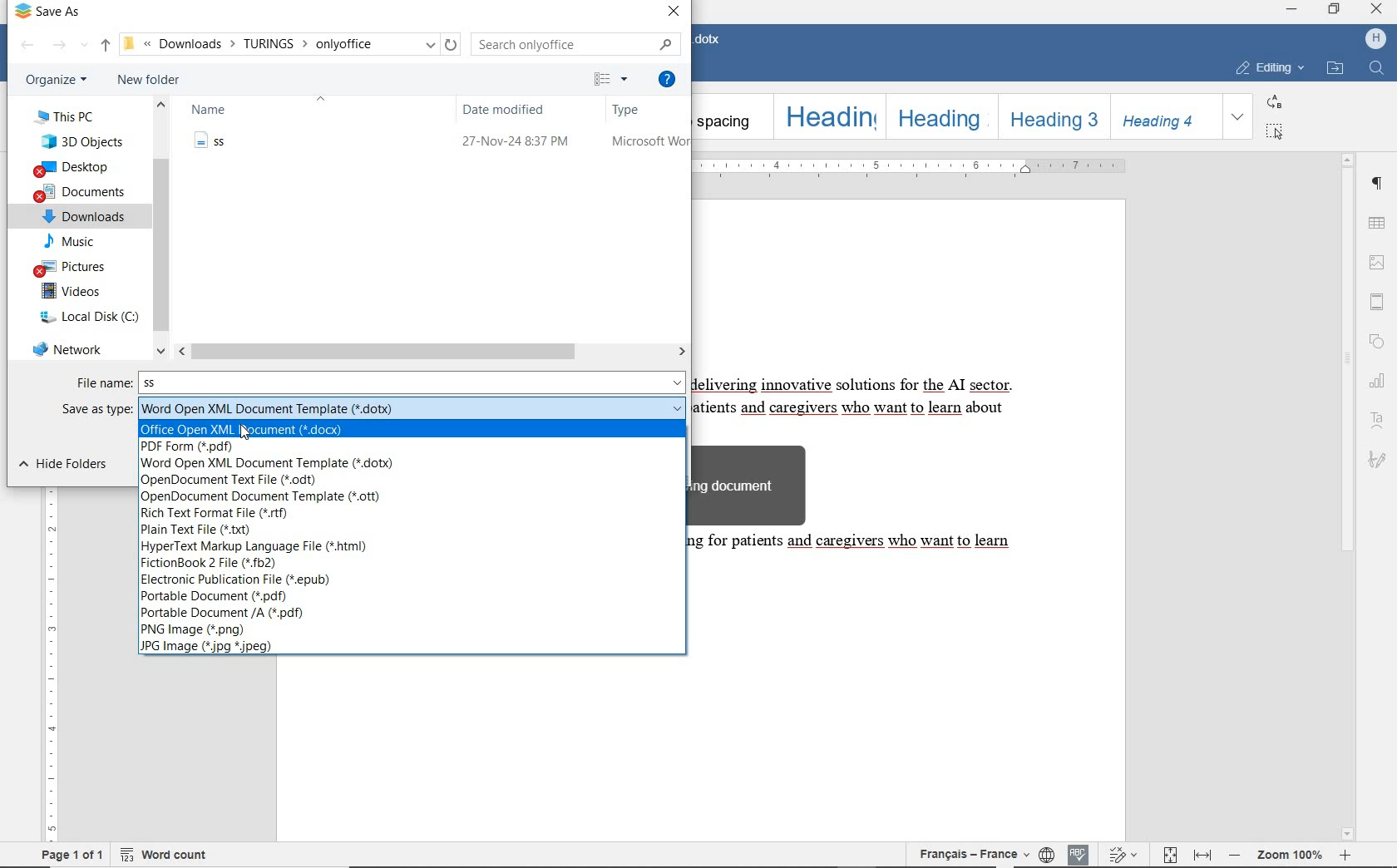 This screenshot has width=1397, height=868. I want to click on SAVE AS TYPE, so click(98, 410).